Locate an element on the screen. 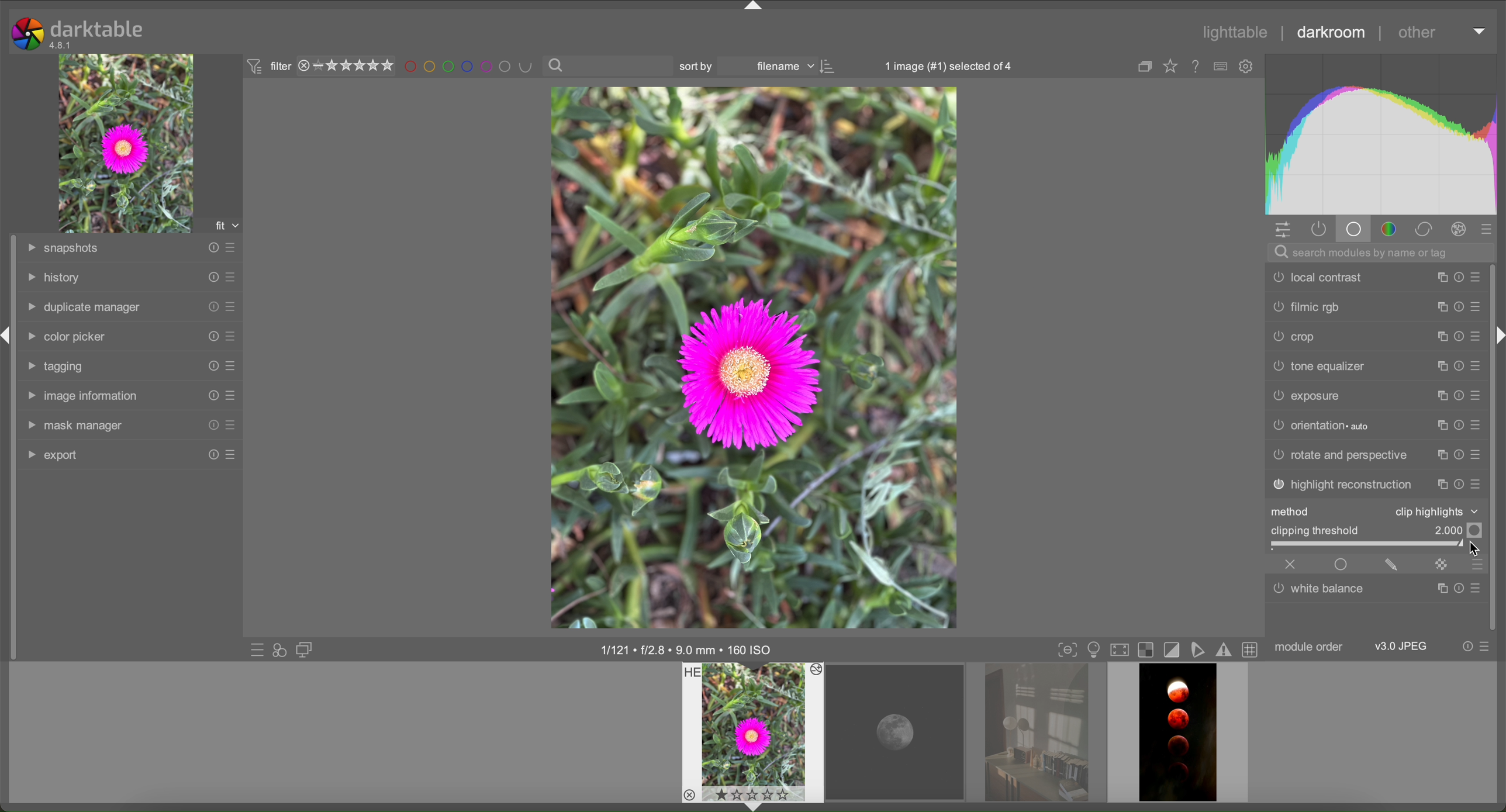  toggle cliping indication is located at coordinates (1175, 650).